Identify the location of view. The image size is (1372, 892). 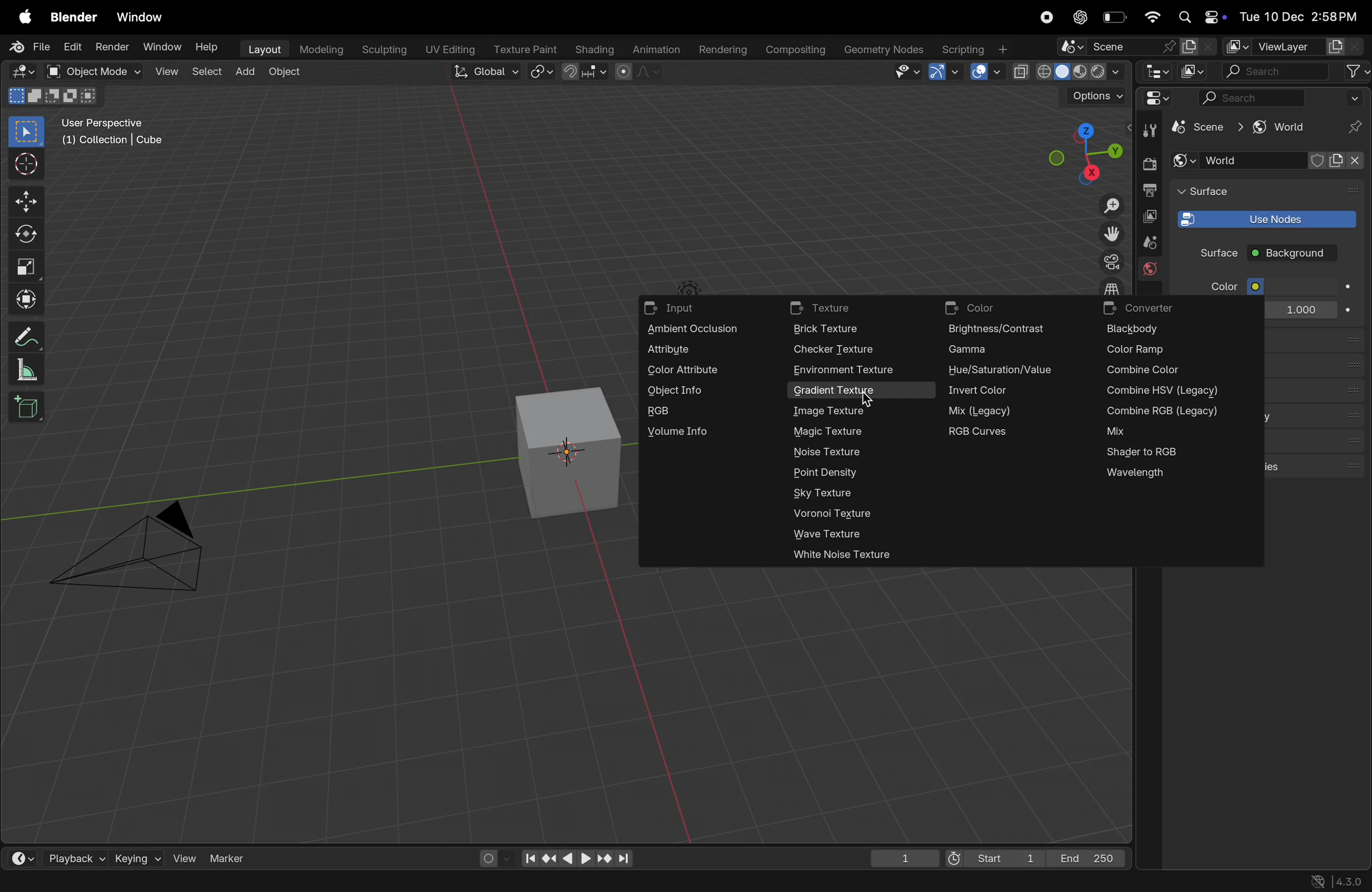
(184, 858).